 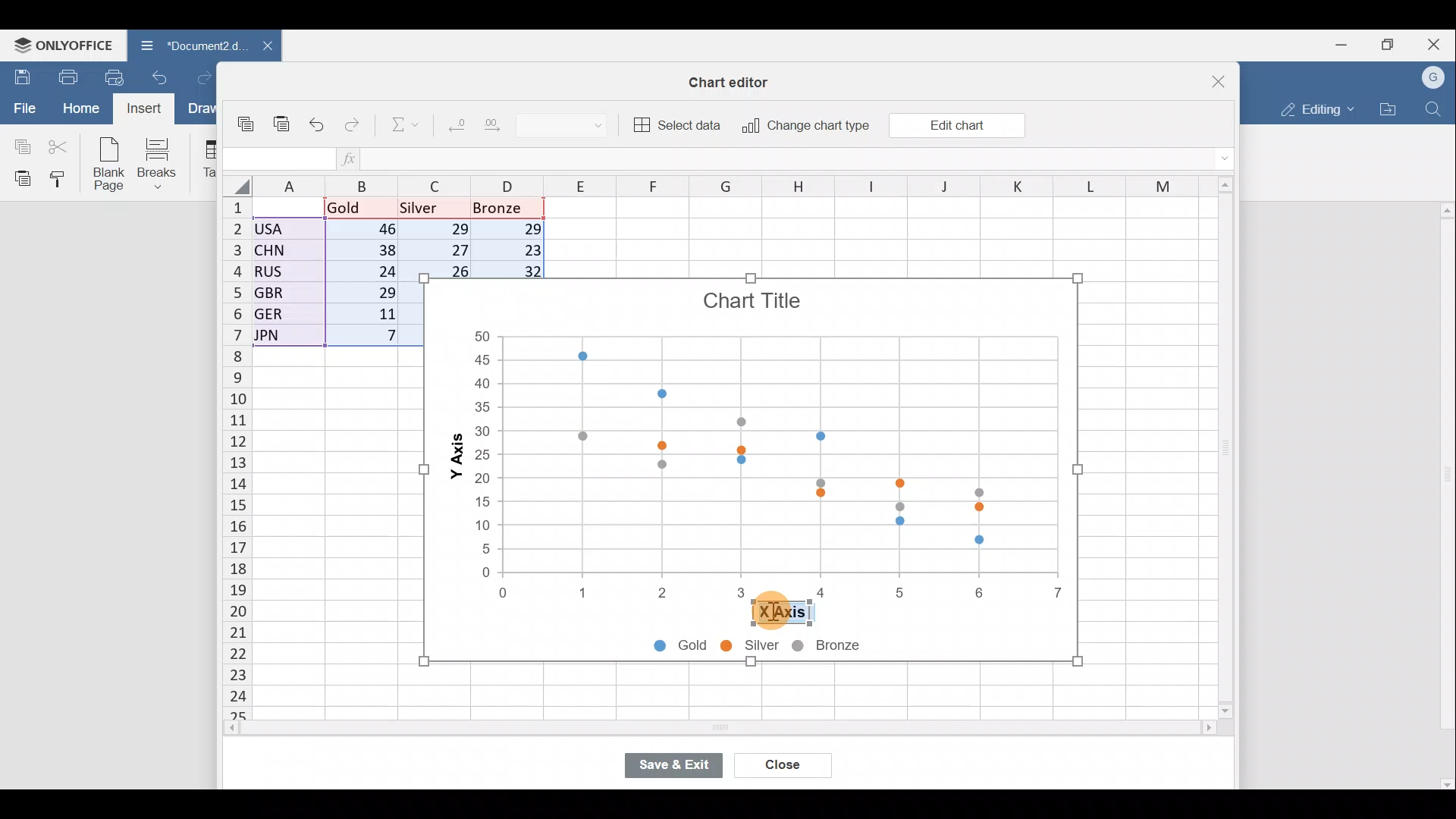 What do you see at coordinates (165, 162) in the screenshot?
I see `Breaks` at bounding box center [165, 162].